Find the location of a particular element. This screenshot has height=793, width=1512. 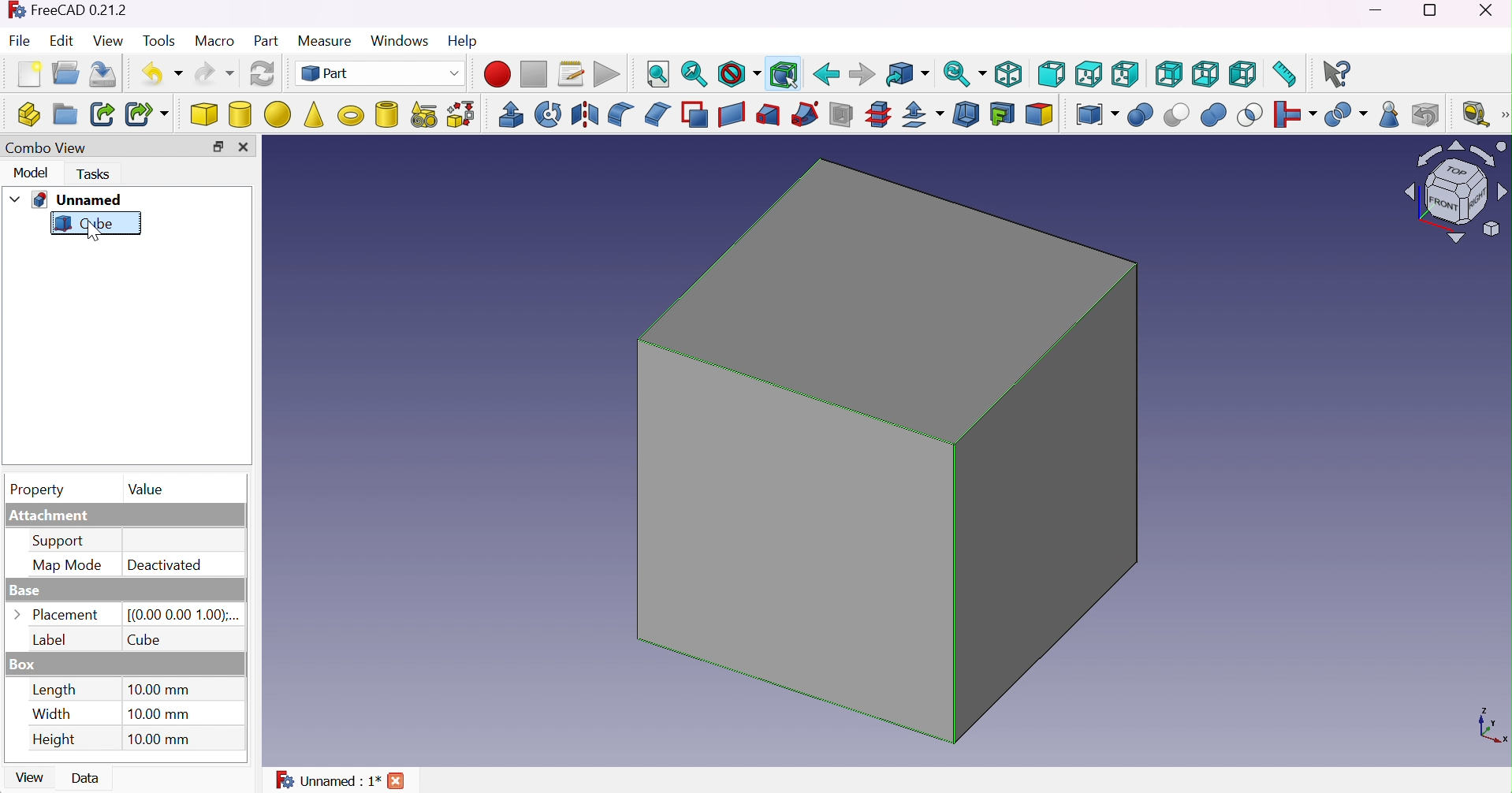

Extrude is located at coordinates (510, 116).